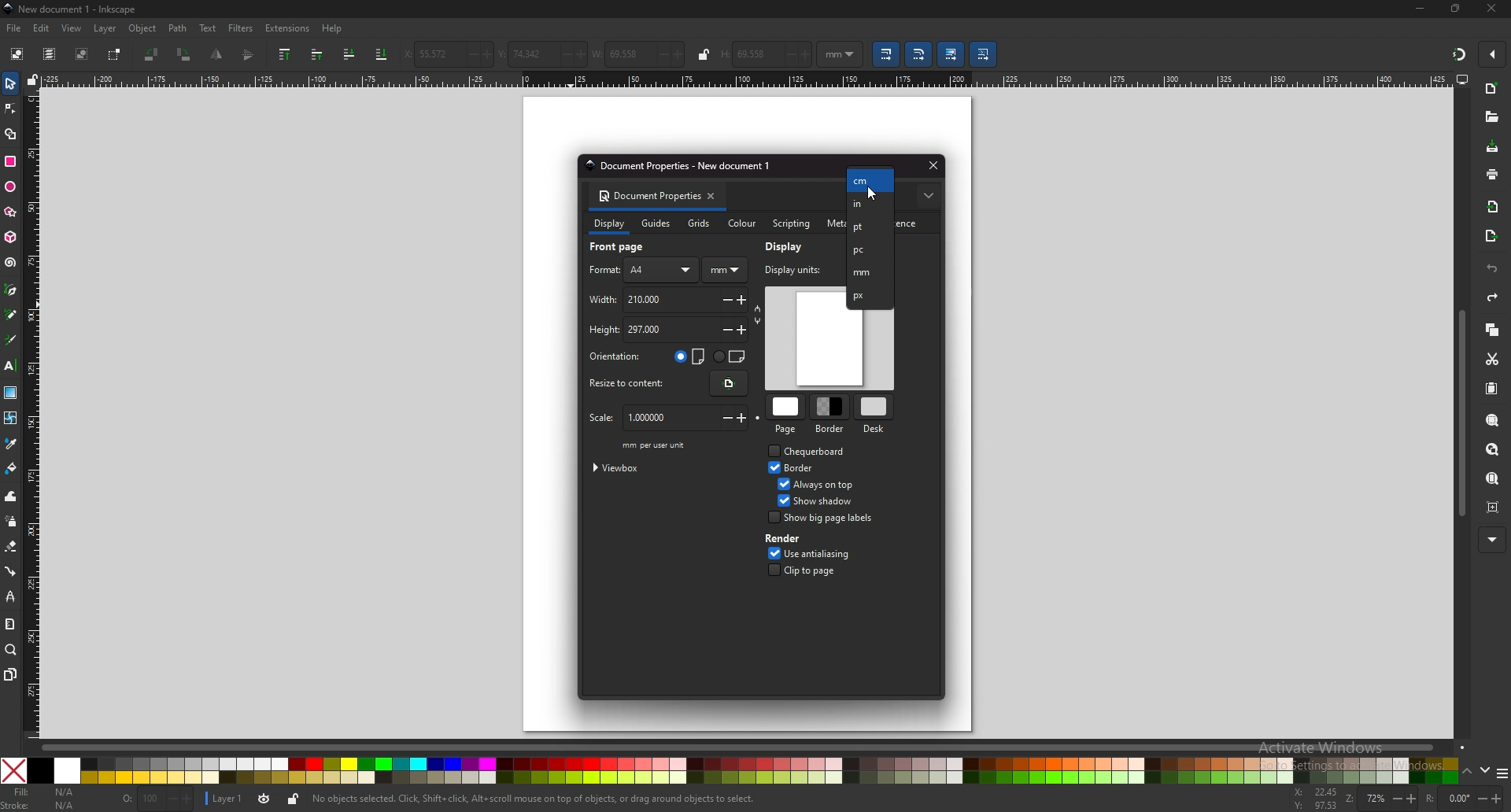 The image size is (1511, 812). I want to click on Checkbox, so click(772, 518).